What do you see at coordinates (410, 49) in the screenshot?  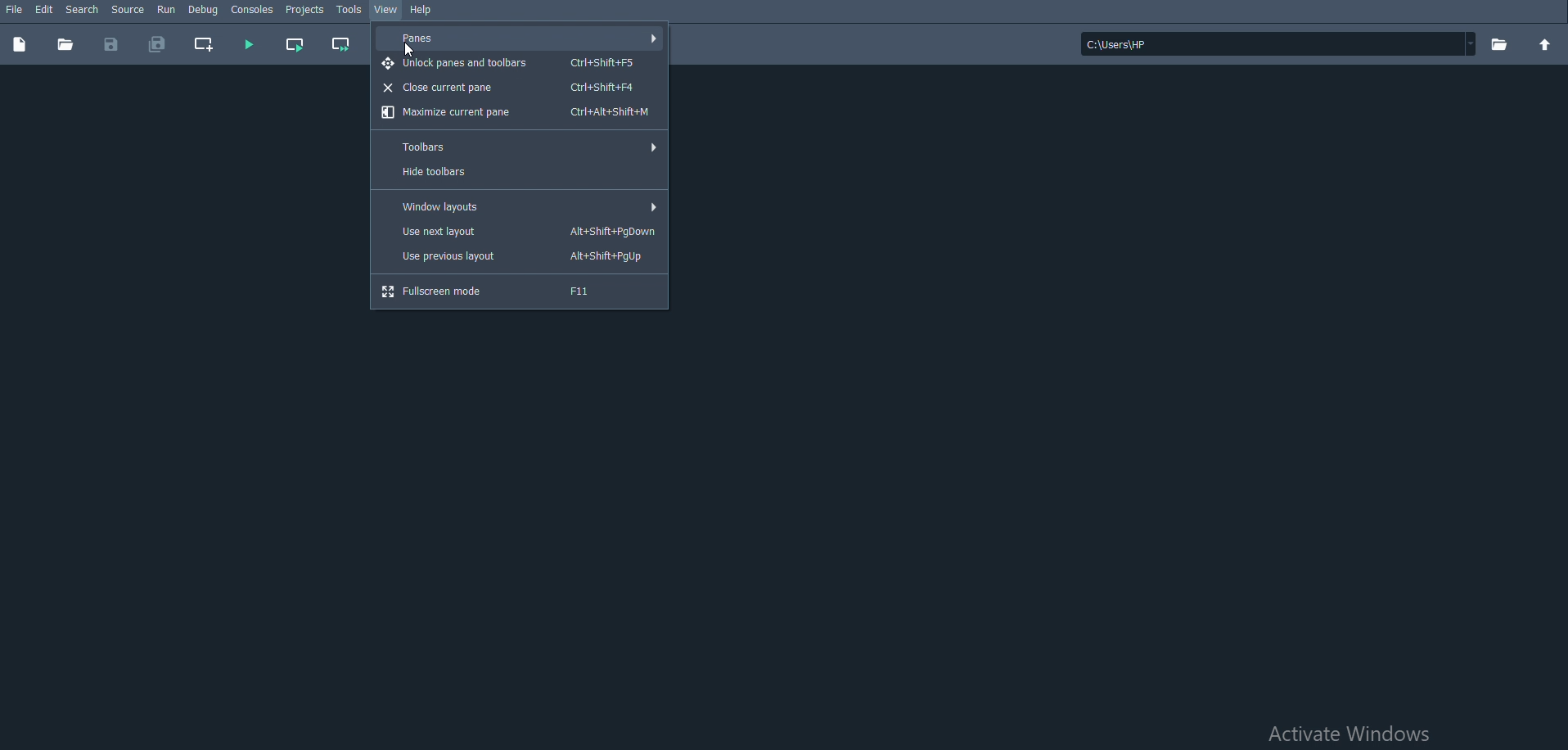 I see `Cursor` at bounding box center [410, 49].